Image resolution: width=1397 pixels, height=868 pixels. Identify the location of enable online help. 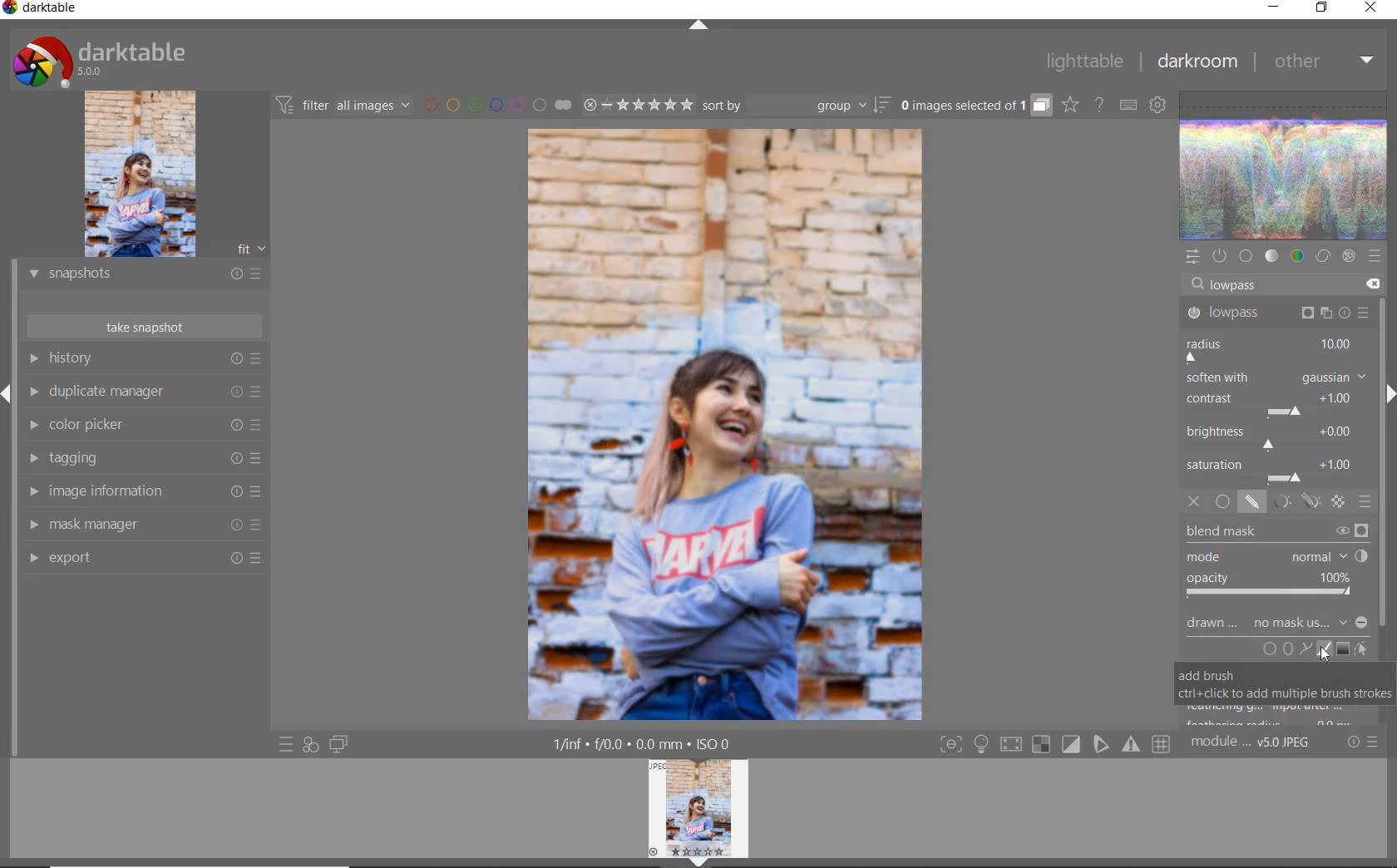
(1100, 104).